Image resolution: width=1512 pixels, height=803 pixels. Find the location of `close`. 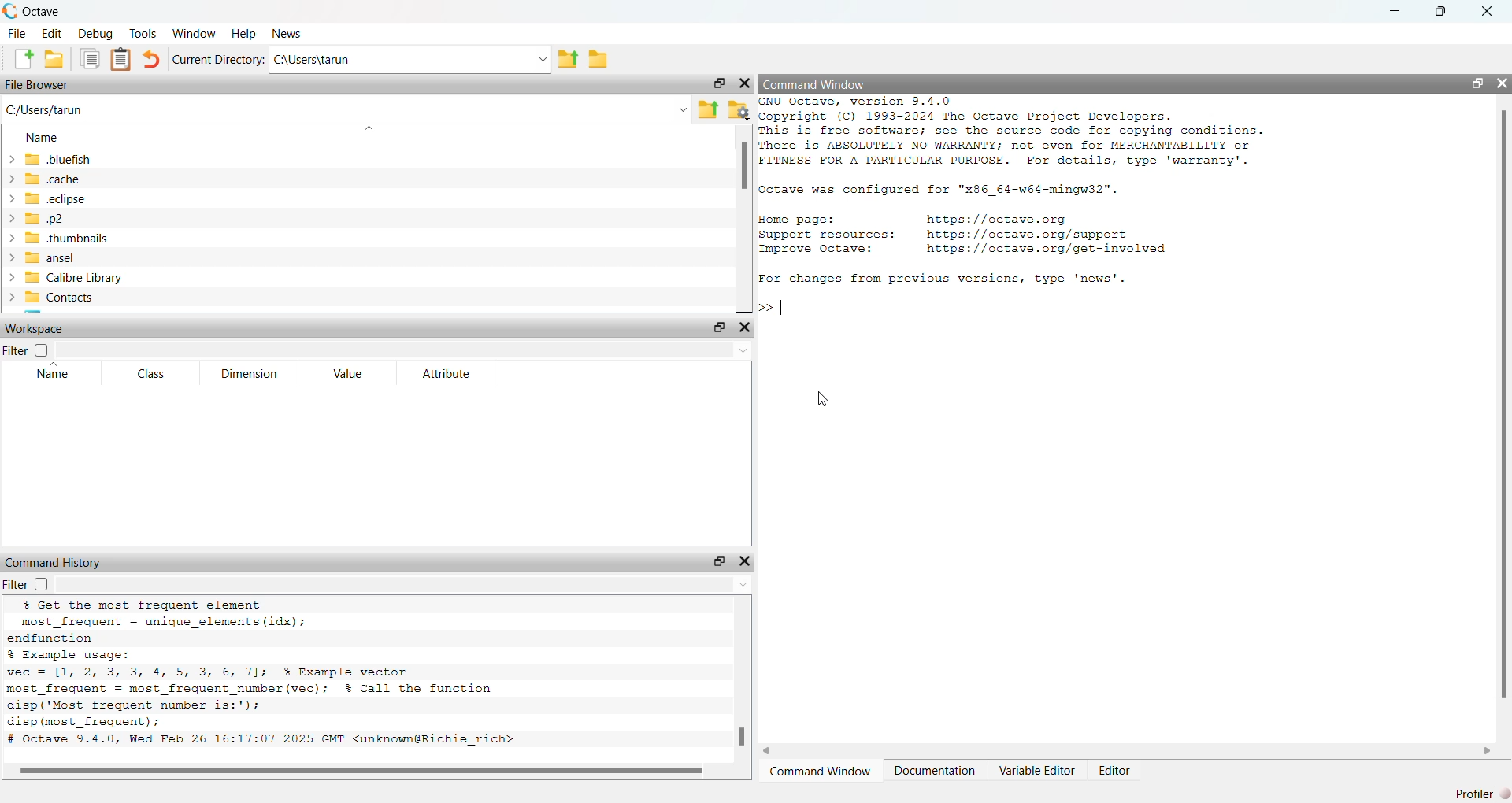

close is located at coordinates (1486, 11).